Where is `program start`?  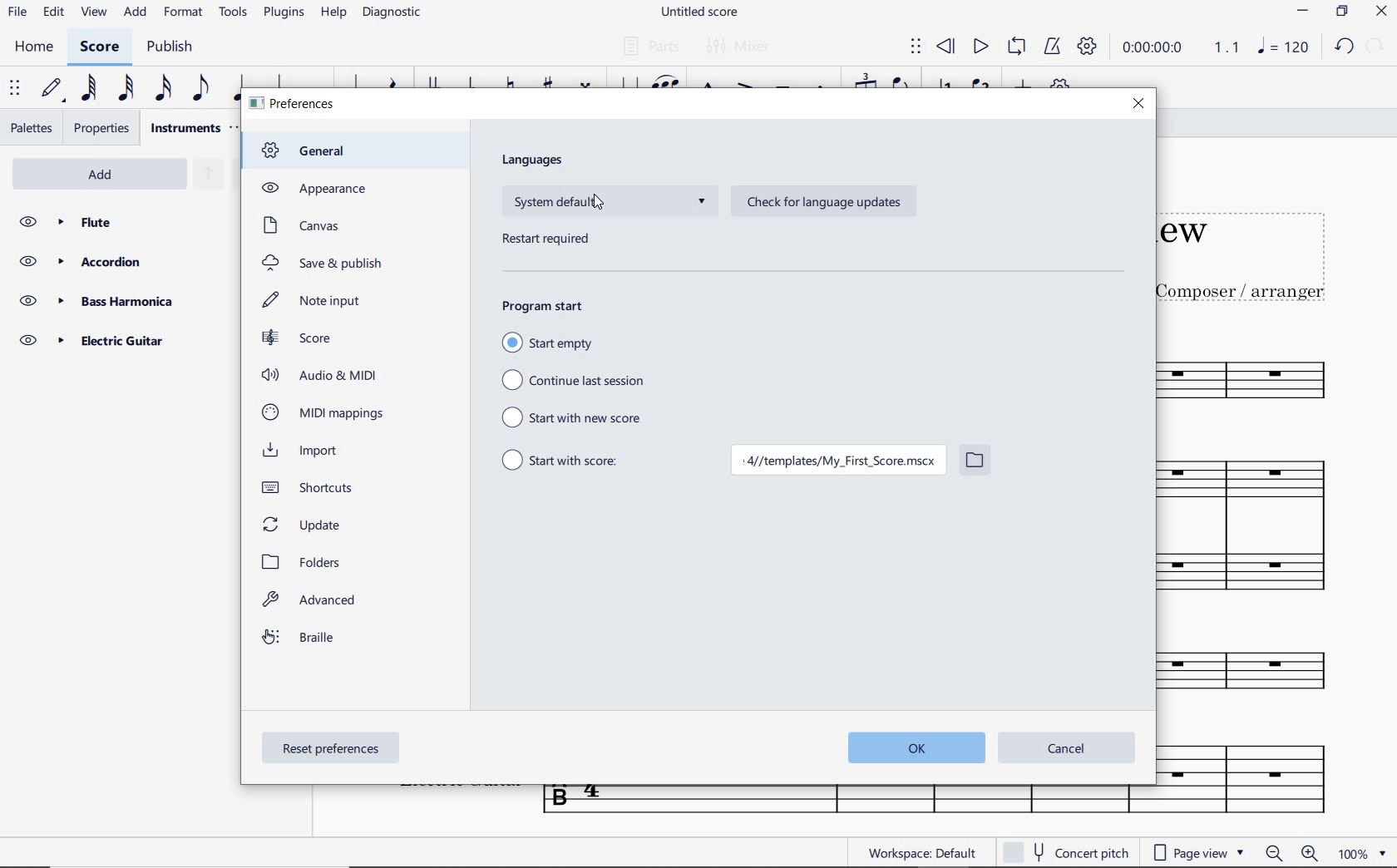
program start is located at coordinates (543, 304).